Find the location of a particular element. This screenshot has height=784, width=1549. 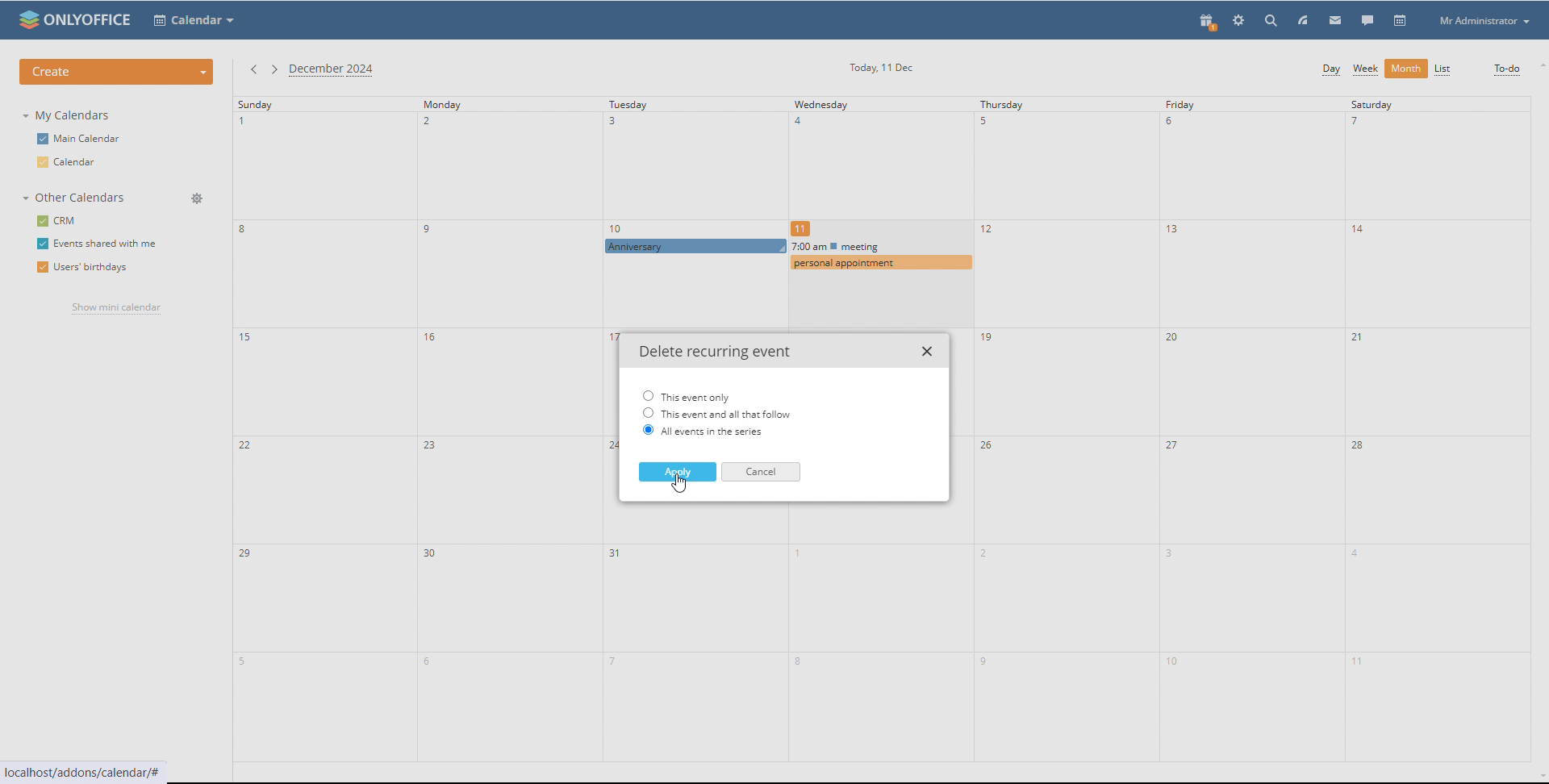

next month is located at coordinates (273, 70).